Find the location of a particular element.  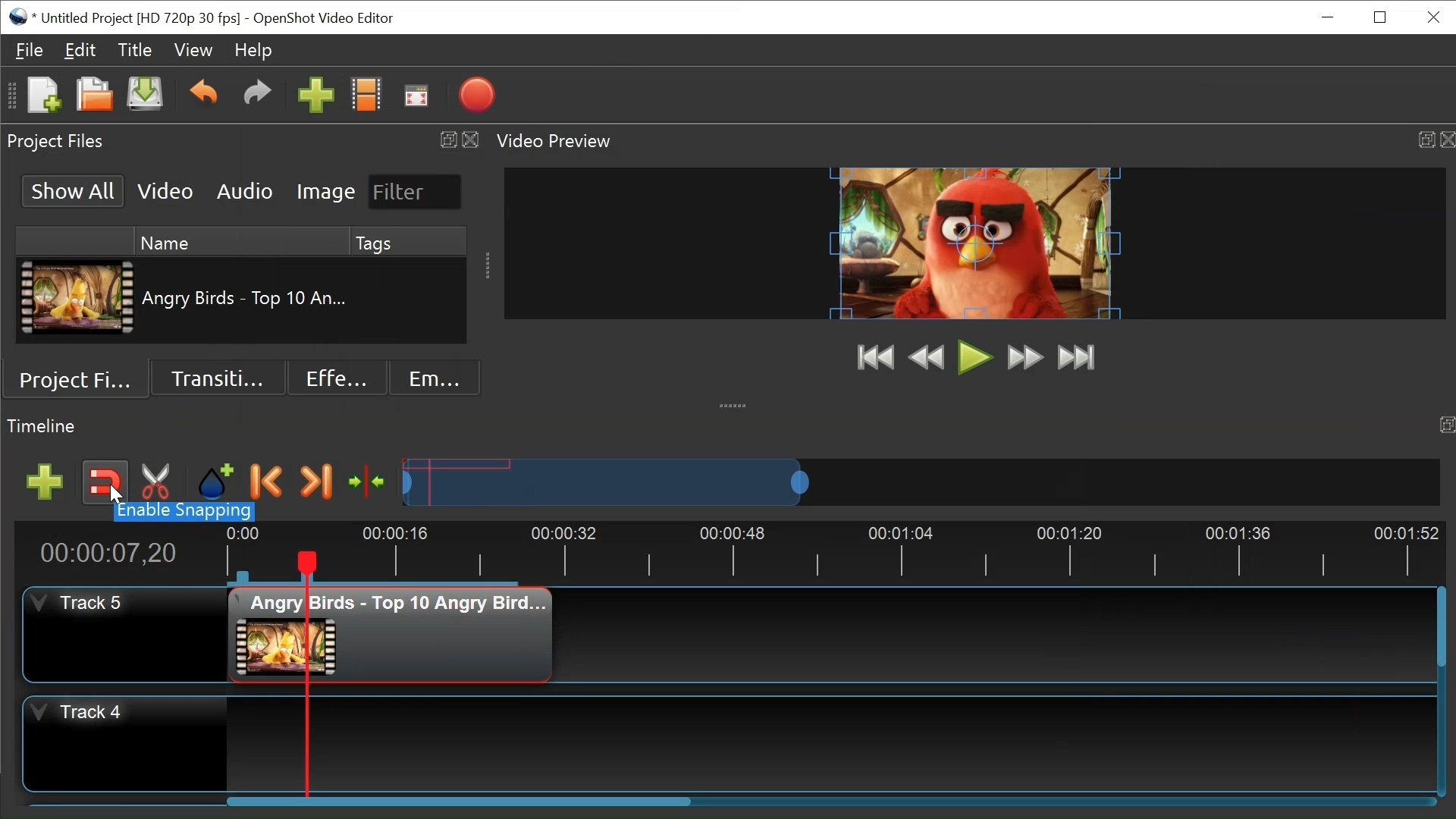

OpenShot Desktop icon is located at coordinates (20, 17).